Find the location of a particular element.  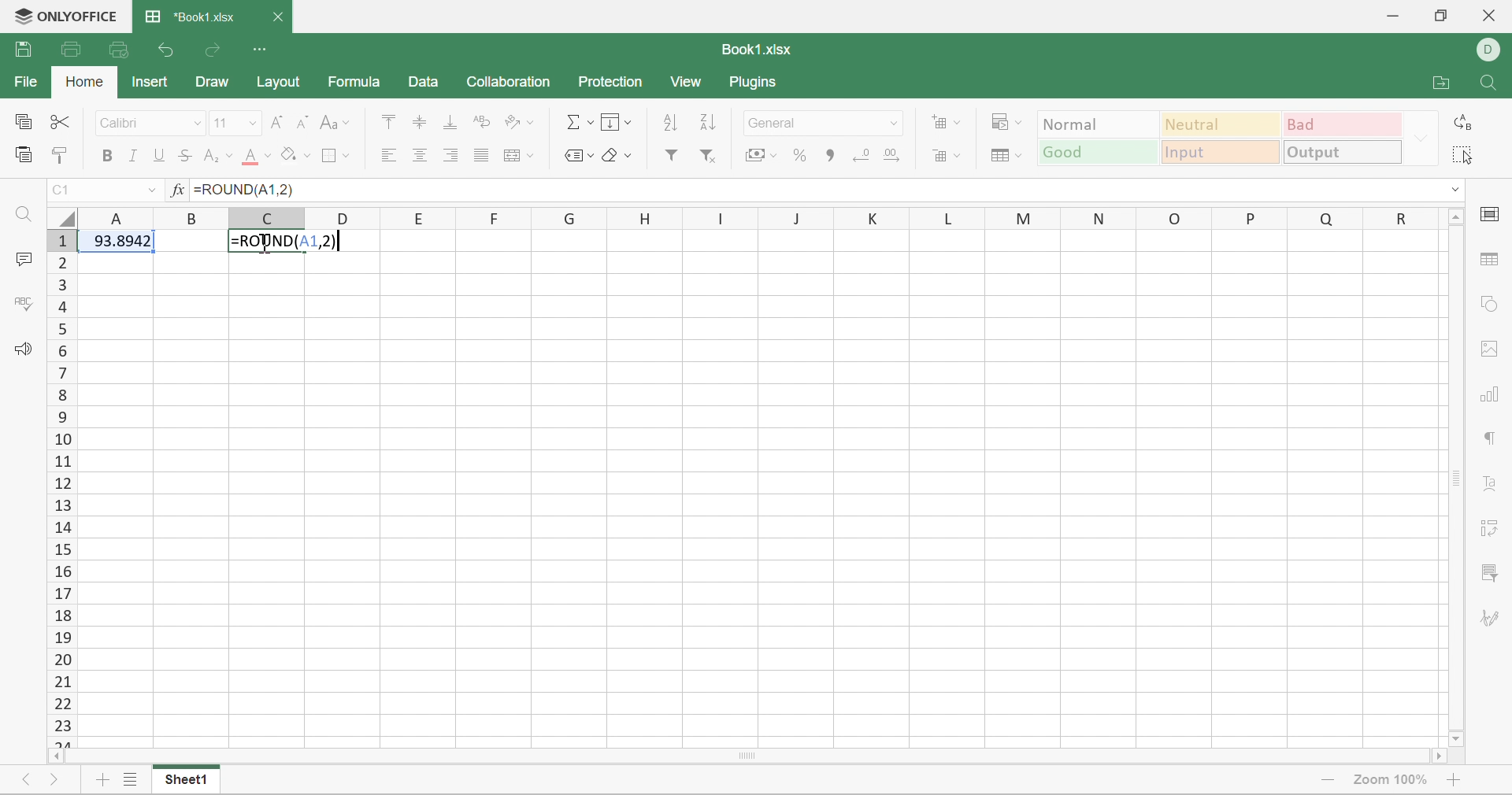

Zoom in is located at coordinates (1454, 780).